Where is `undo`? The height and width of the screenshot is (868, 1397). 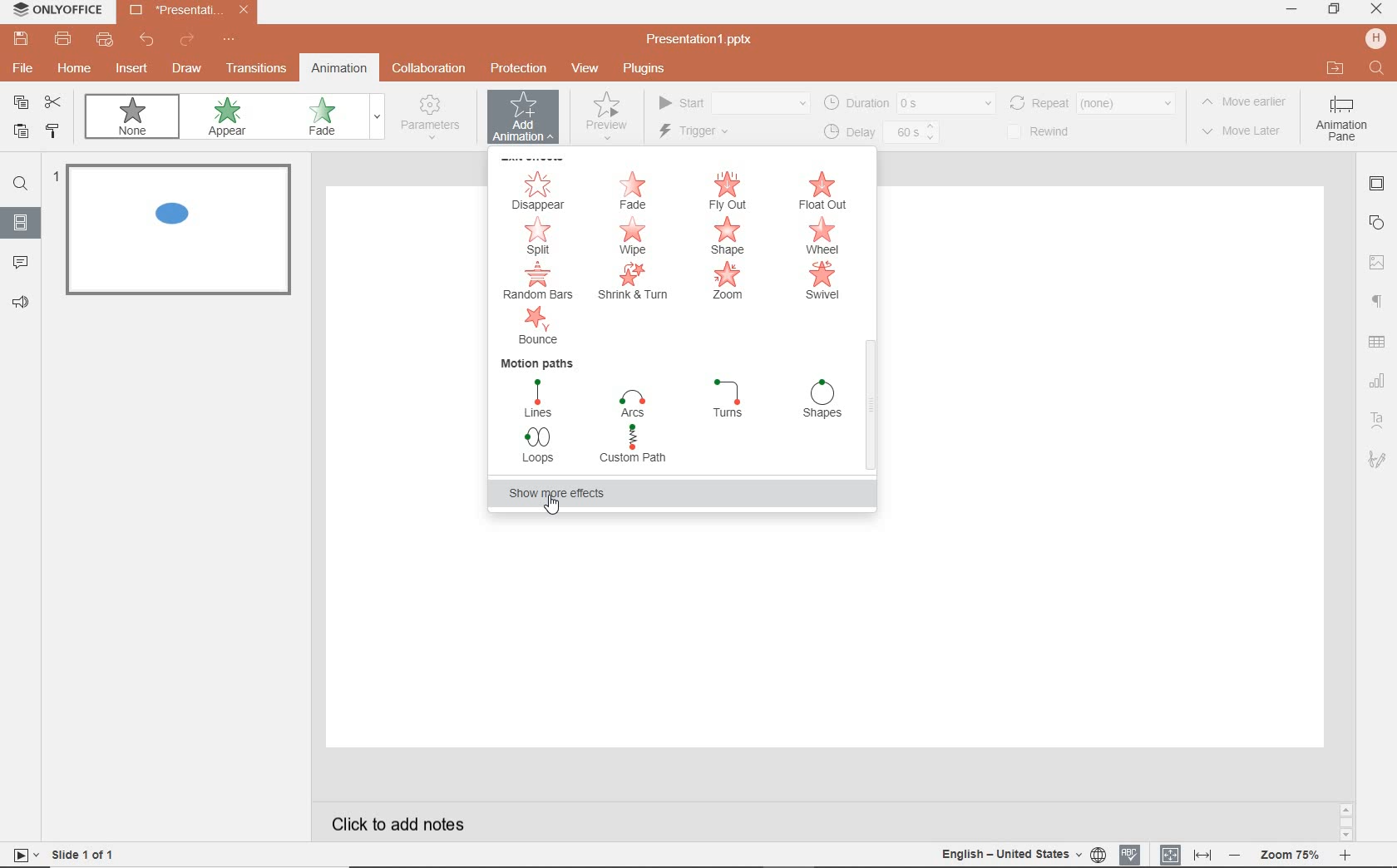
undo is located at coordinates (148, 42).